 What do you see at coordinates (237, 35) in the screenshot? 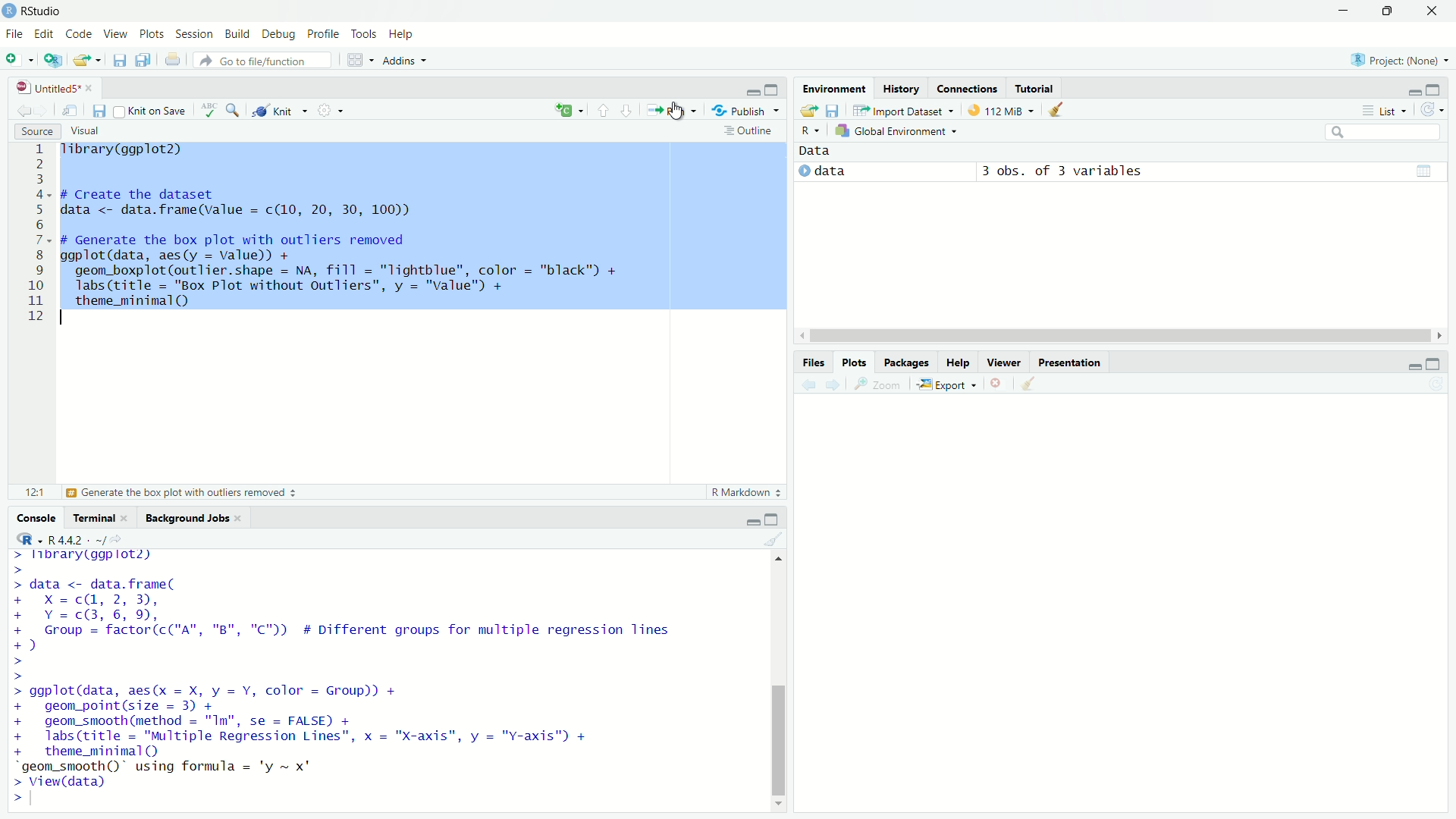
I see `n Build` at bounding box center [237, 35].